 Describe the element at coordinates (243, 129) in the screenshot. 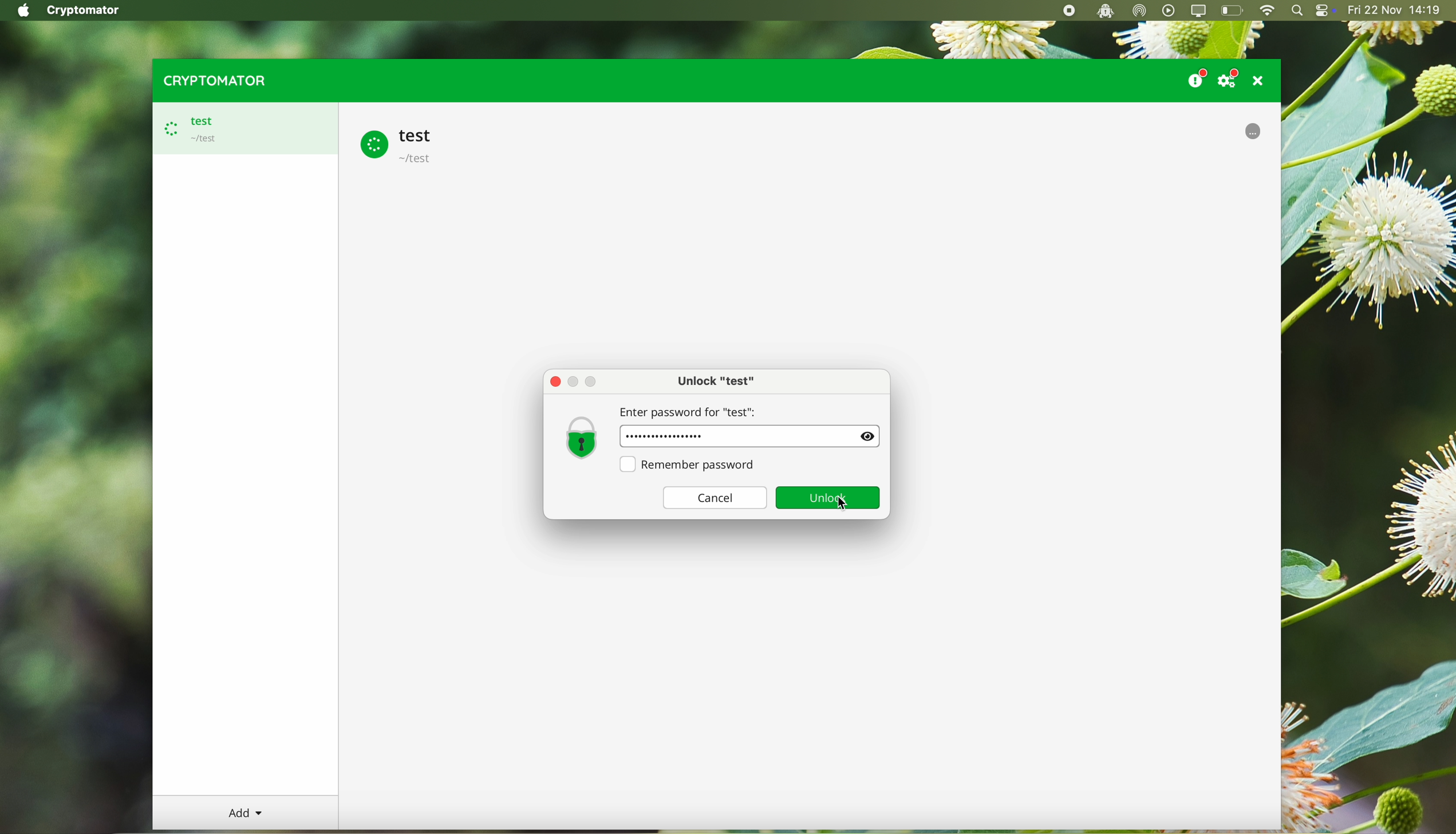

I see `test` at that location.